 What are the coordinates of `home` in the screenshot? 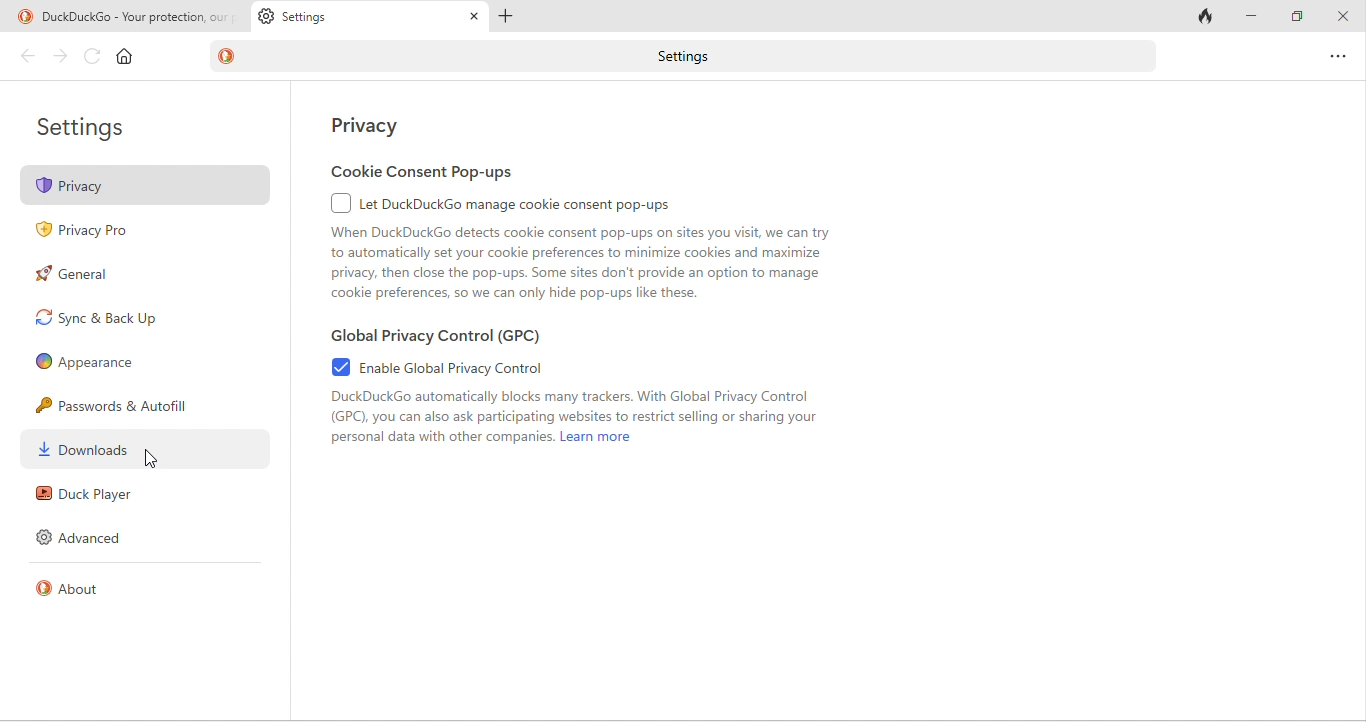 It's located at (129, 61).